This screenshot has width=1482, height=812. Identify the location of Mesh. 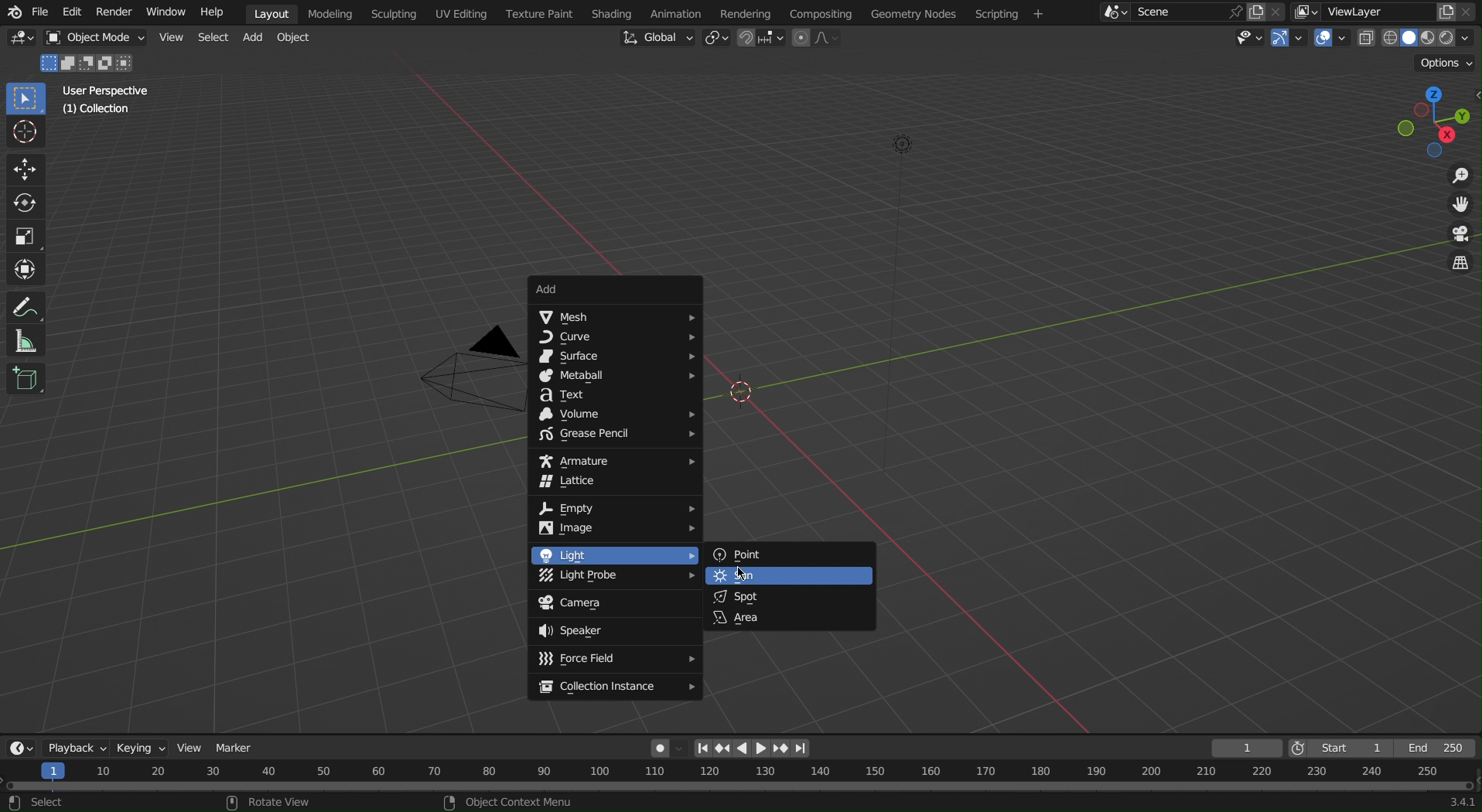
(614, 317).